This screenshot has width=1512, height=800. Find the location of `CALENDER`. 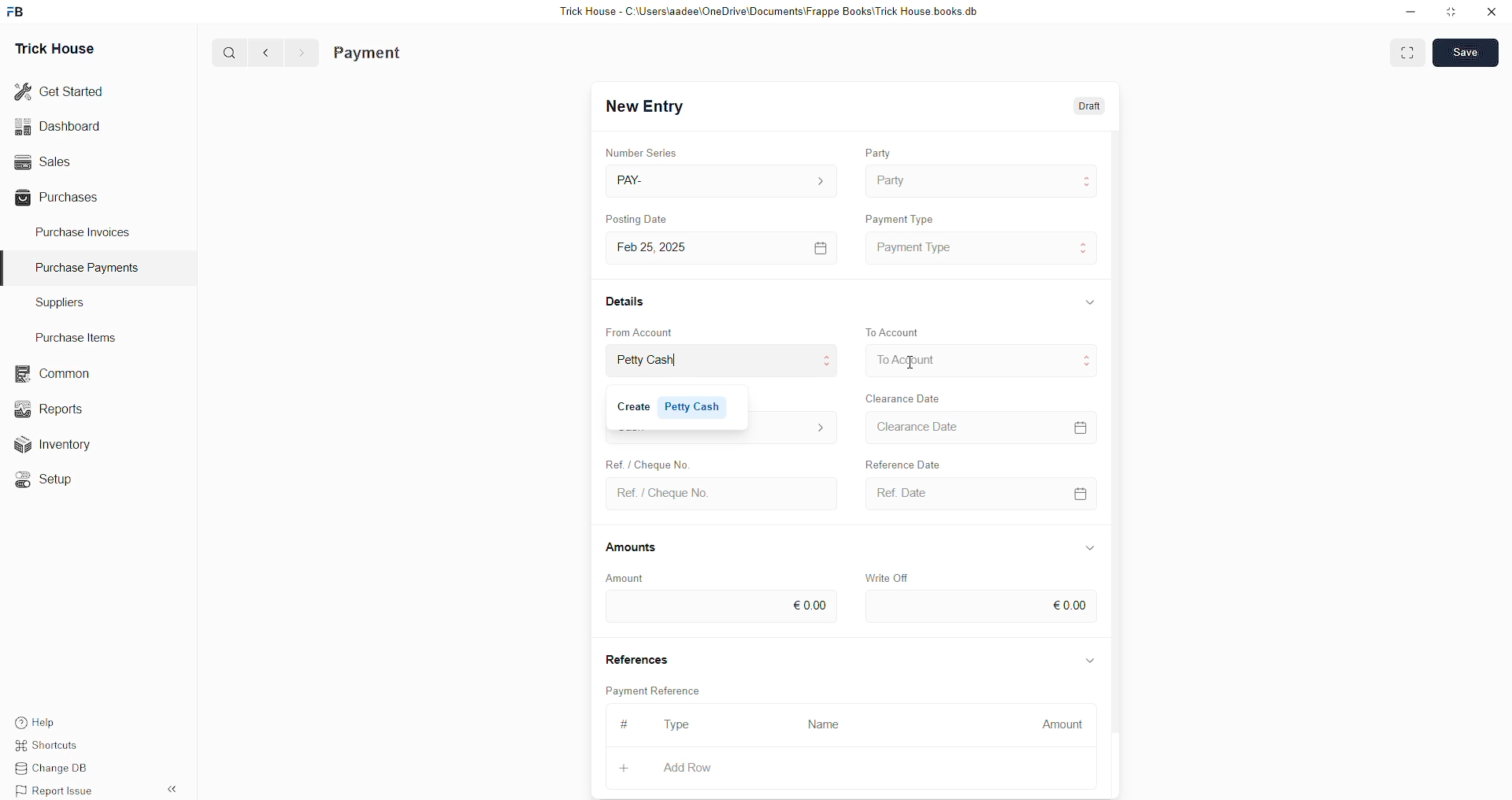

CALENDER is located at coordinates (1080, 492).